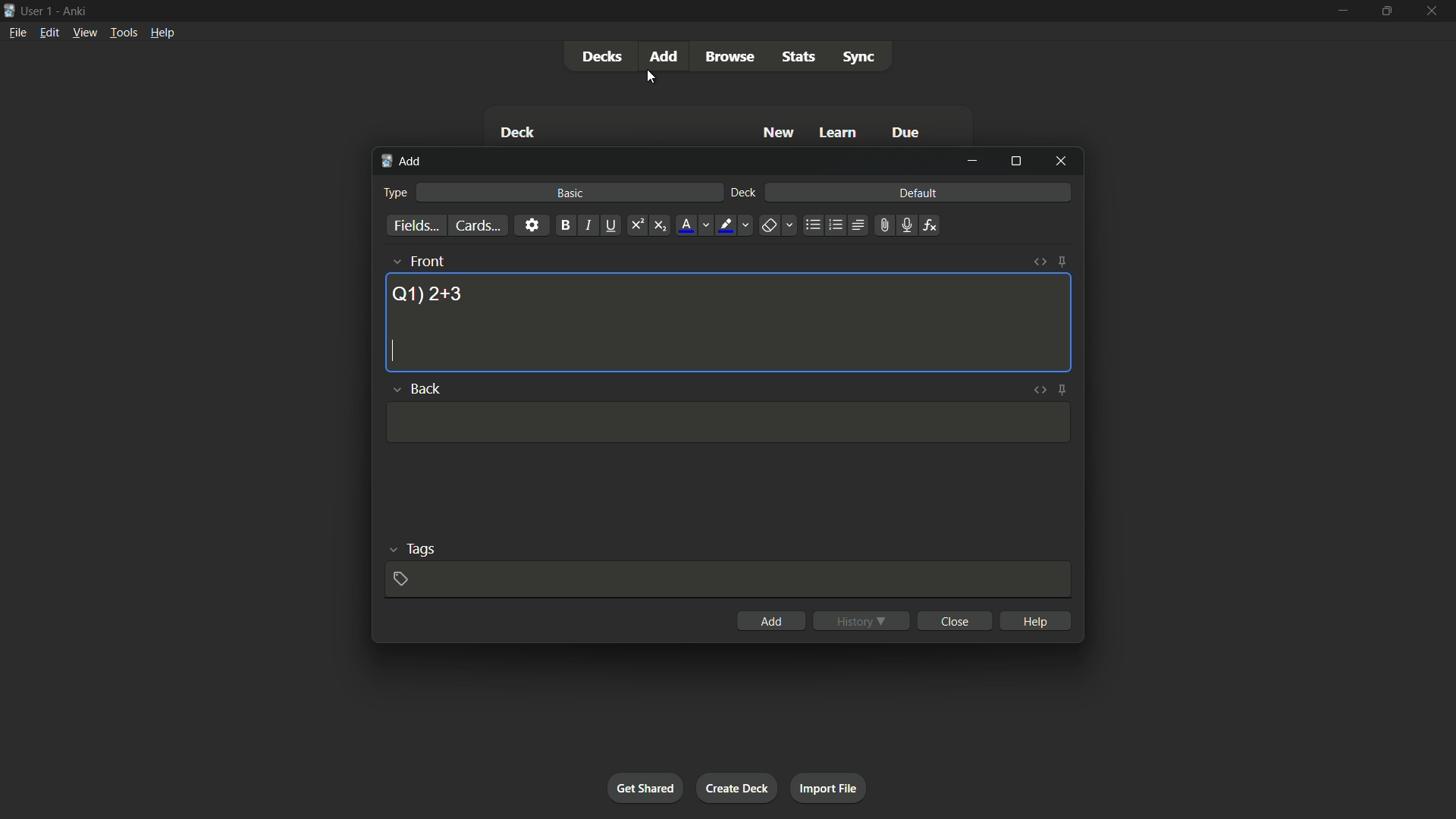  I want to click on cursor, so click(392, 350).